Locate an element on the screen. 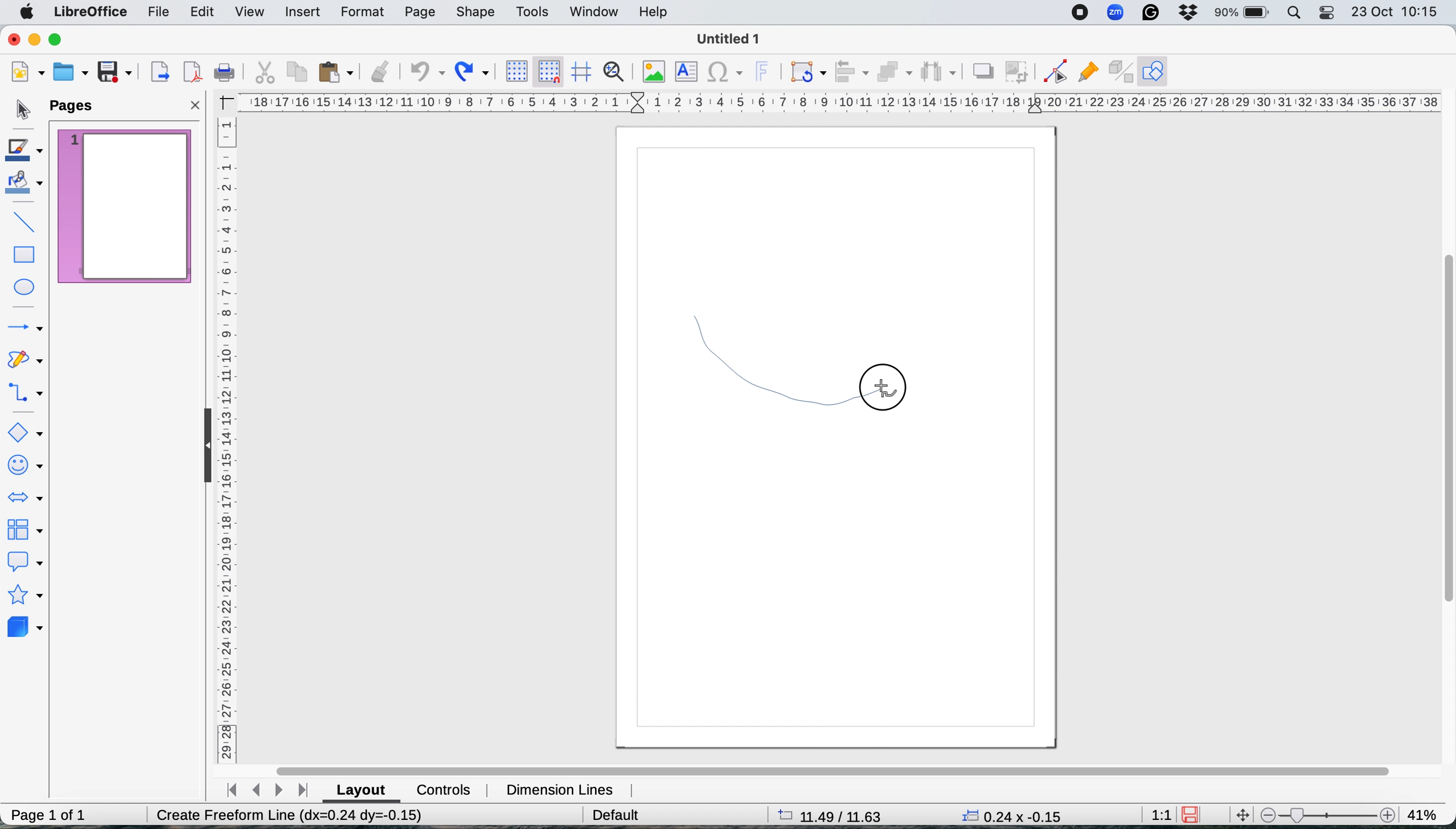 This screenshot has width=1456, height=829. insert line is located at coordinates (25, 221).